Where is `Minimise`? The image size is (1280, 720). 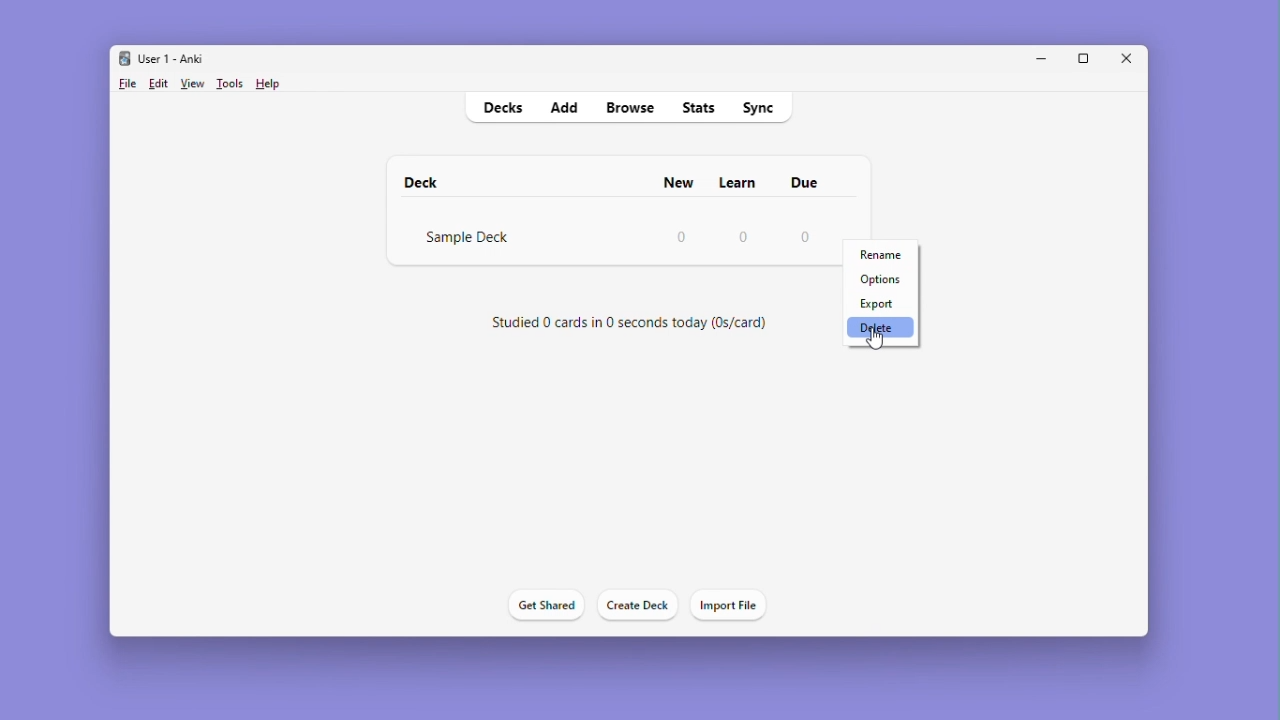
Minimise is located at coordinates (1042, 58).